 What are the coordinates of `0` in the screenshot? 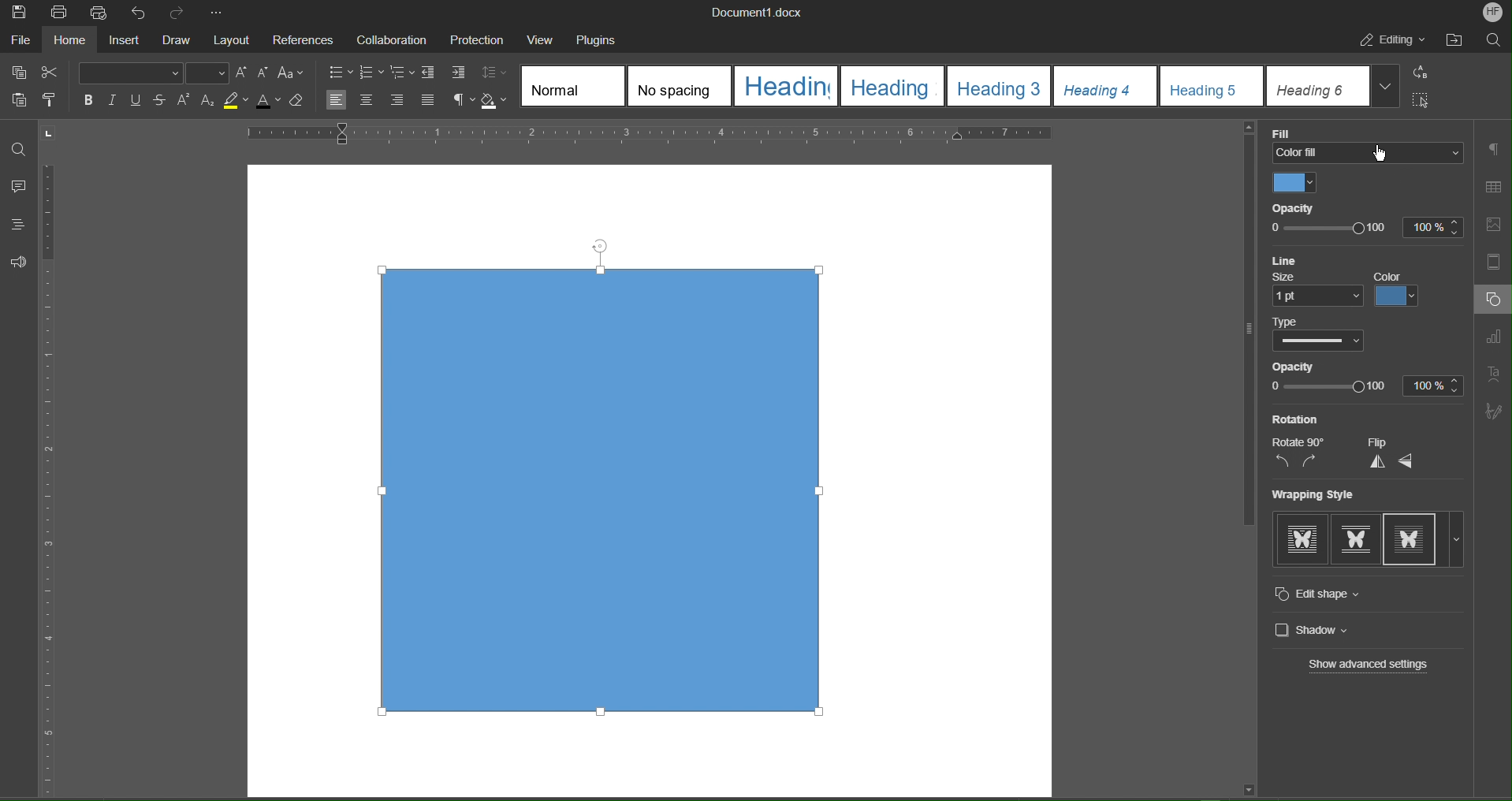 It's located at (1272, 229).